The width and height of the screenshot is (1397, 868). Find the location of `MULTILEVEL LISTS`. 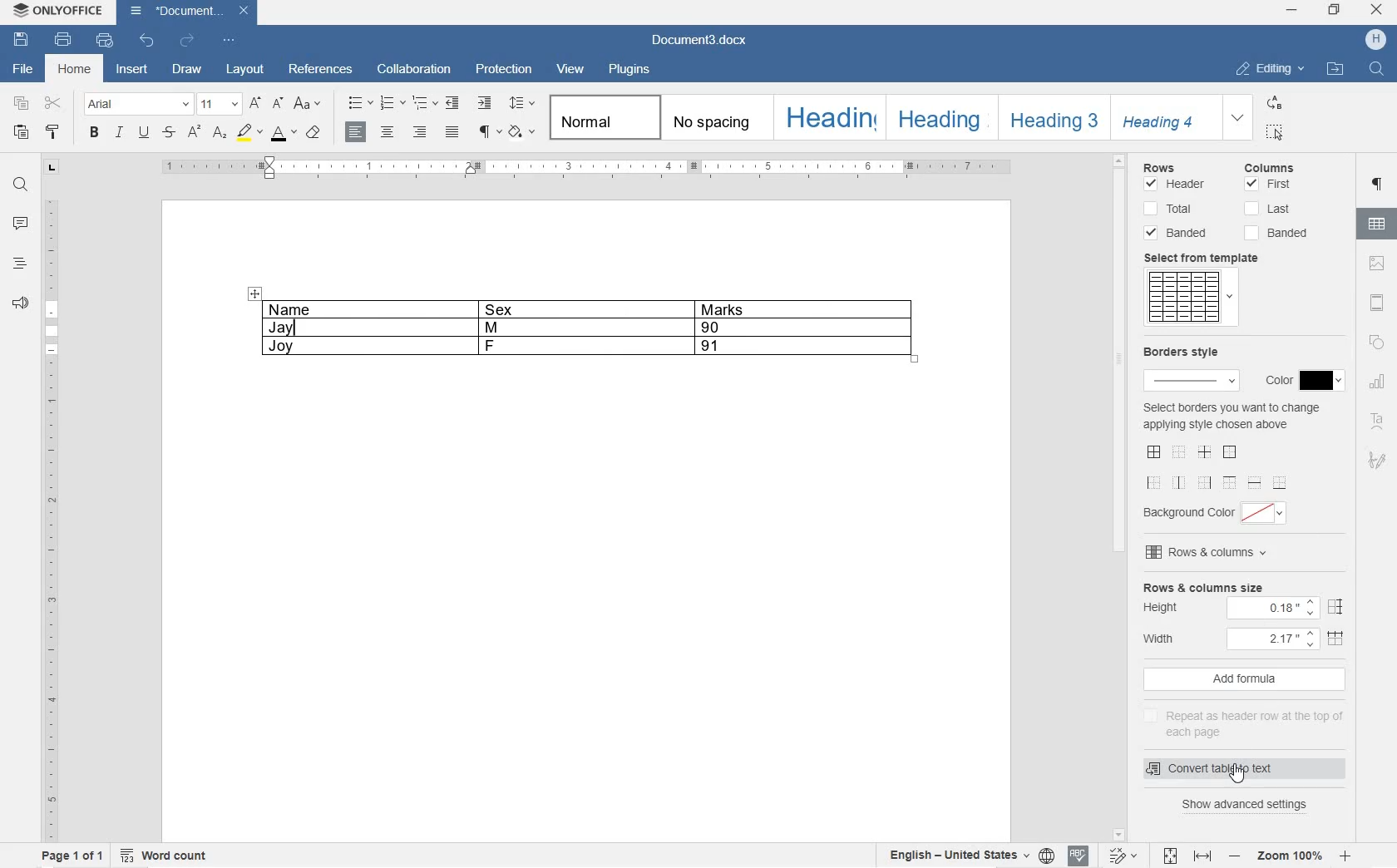

MULTILEVEL LISTS is located at coordinates (423, 101).